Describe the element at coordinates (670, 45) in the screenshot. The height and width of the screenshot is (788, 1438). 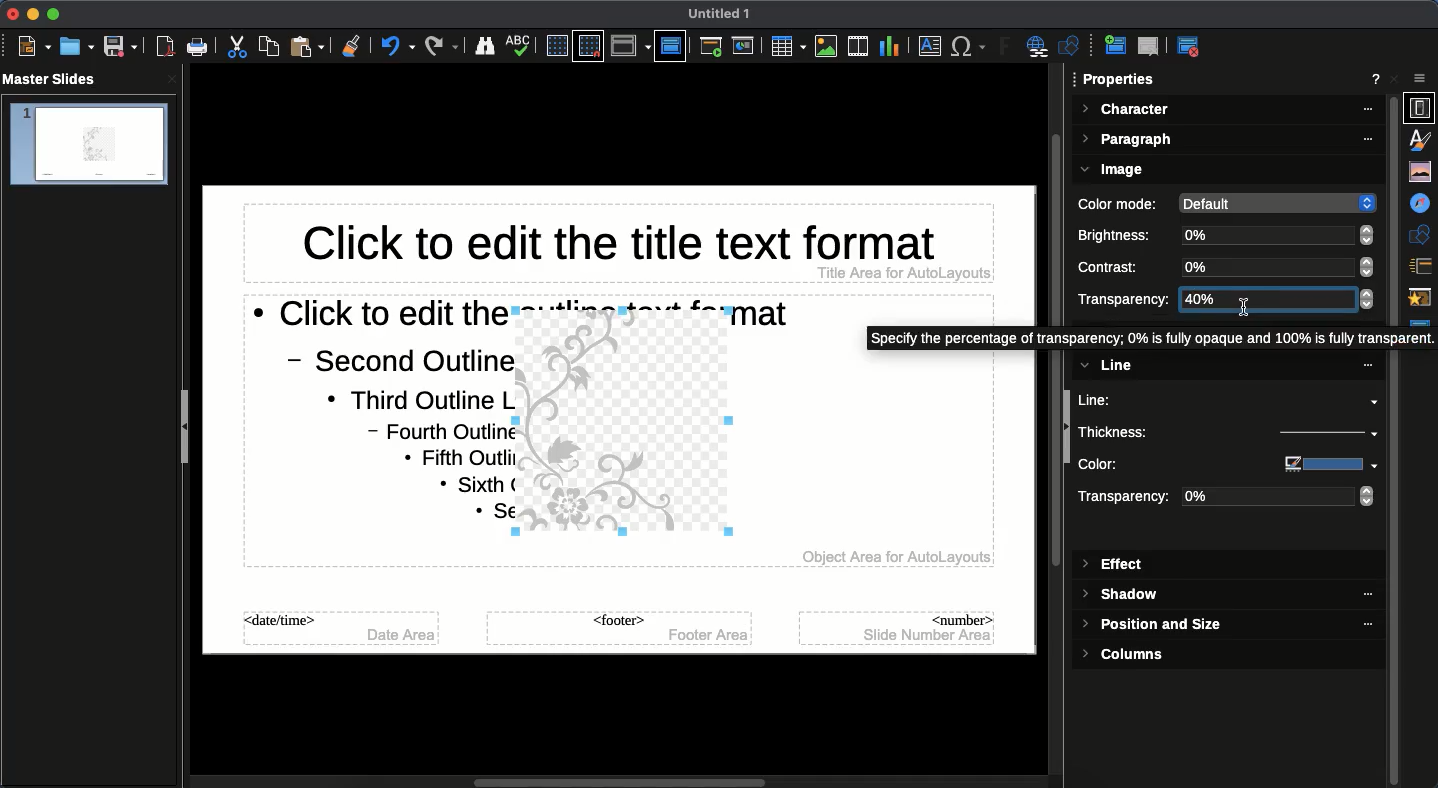
I see `Master slide` at that location.